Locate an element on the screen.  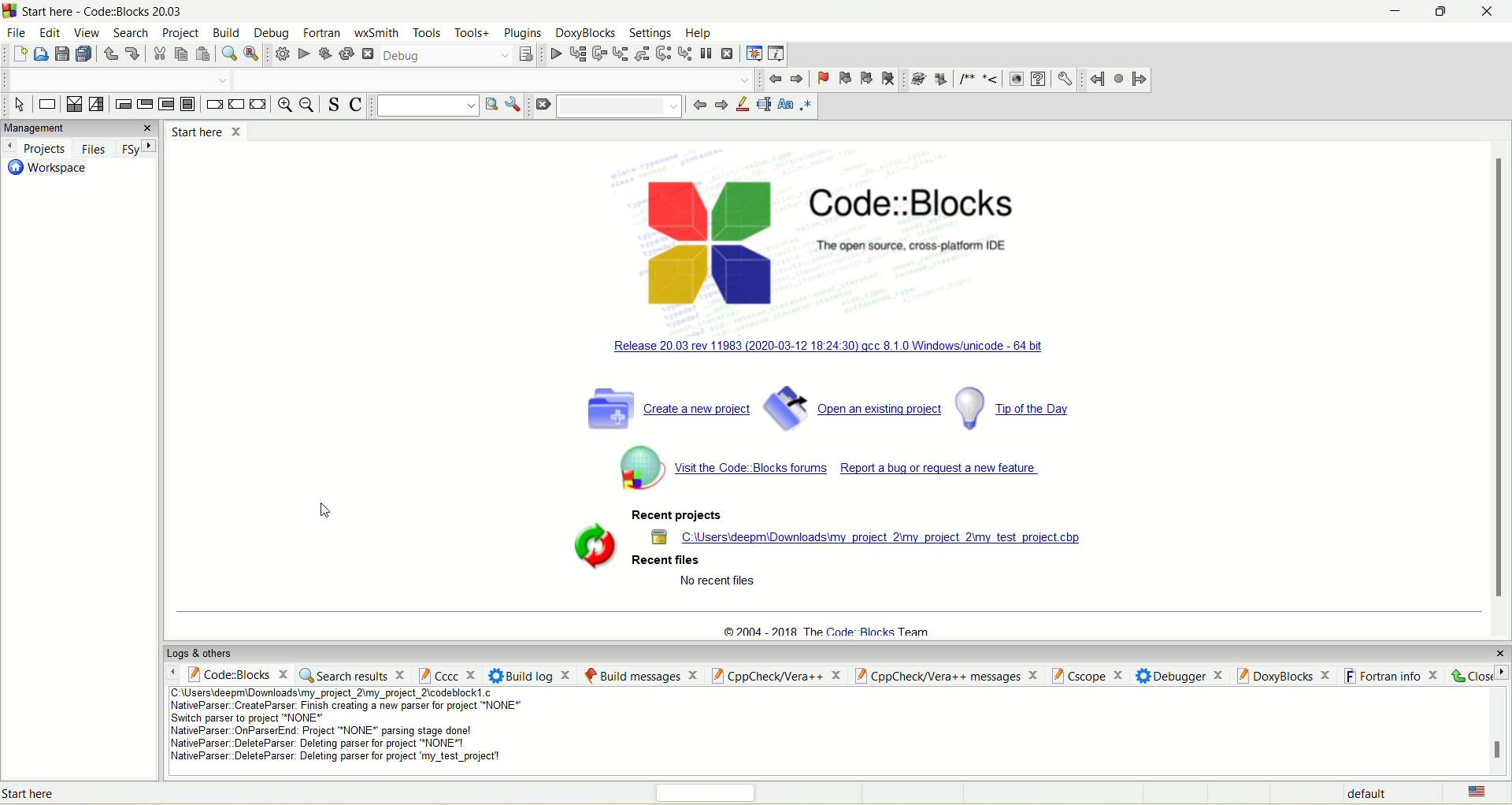
build log is located at coordinates (532, 677).